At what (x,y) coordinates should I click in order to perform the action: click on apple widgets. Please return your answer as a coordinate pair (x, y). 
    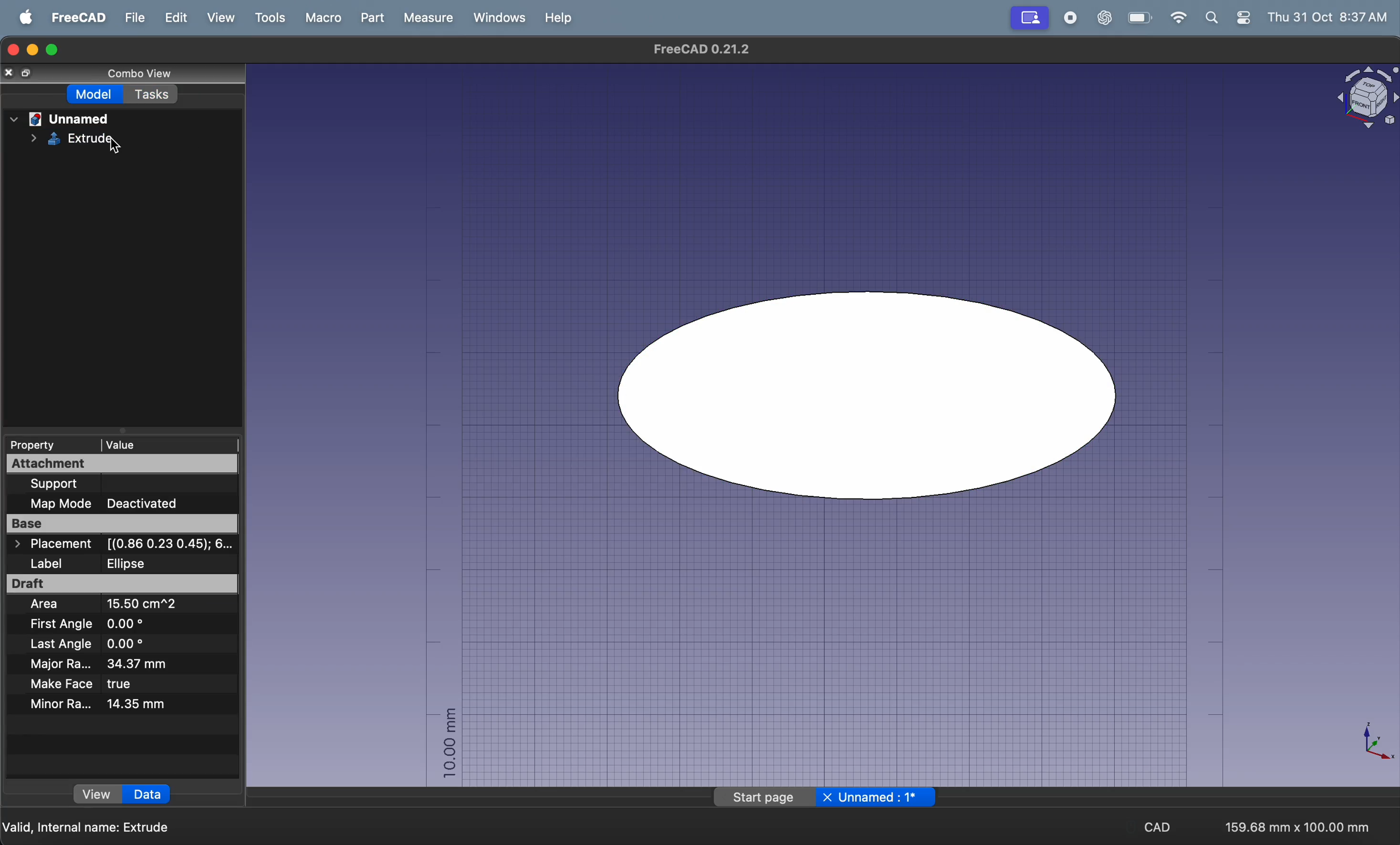
    Looking at the image, I should click on (1227, 19).